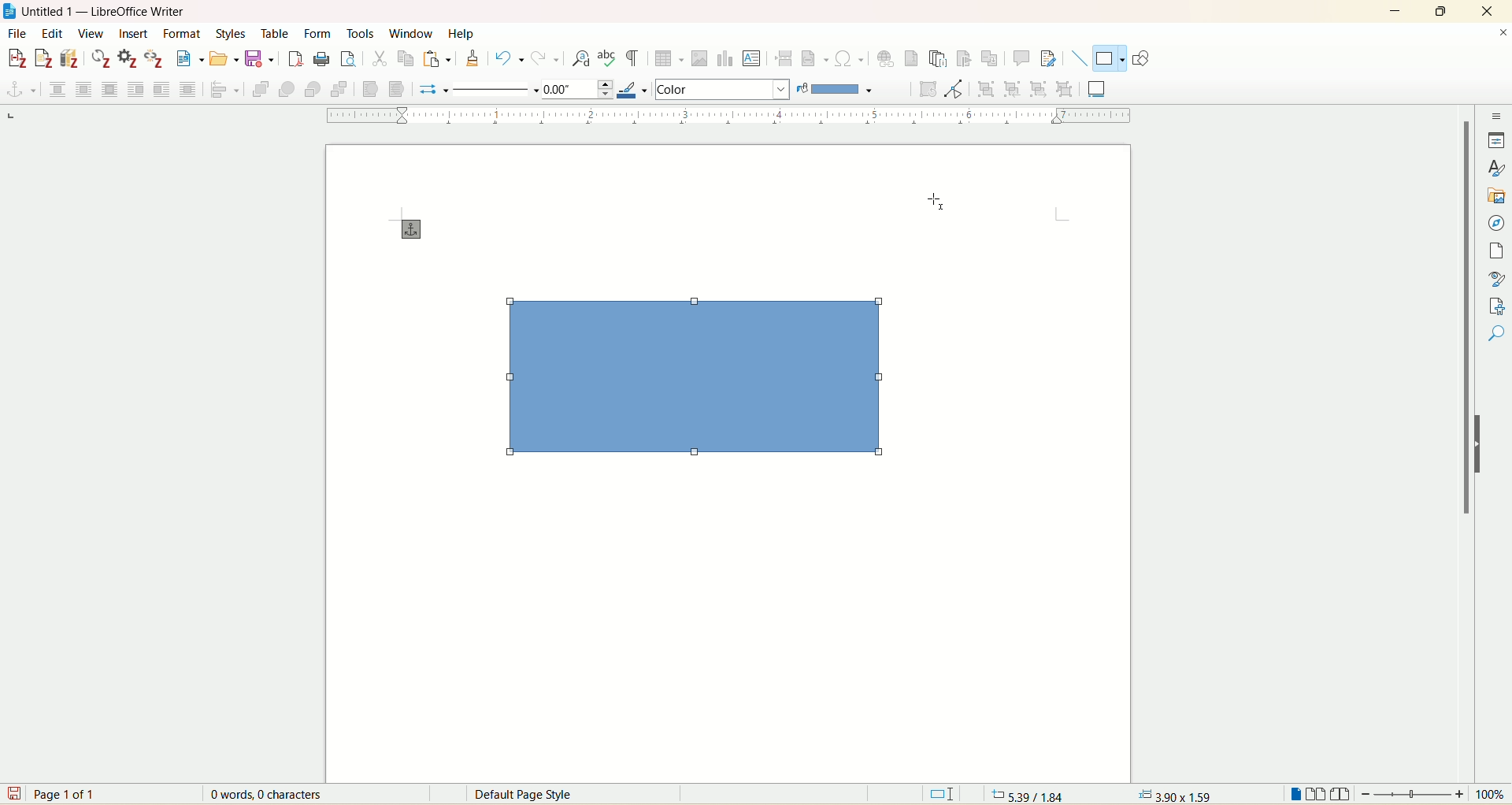 Image resolution: width=1512 pixels, height=805 pixels. What do you see at coordinates (188, 88) in the screenshot?
I see `through` at bounding box center [188, 88].